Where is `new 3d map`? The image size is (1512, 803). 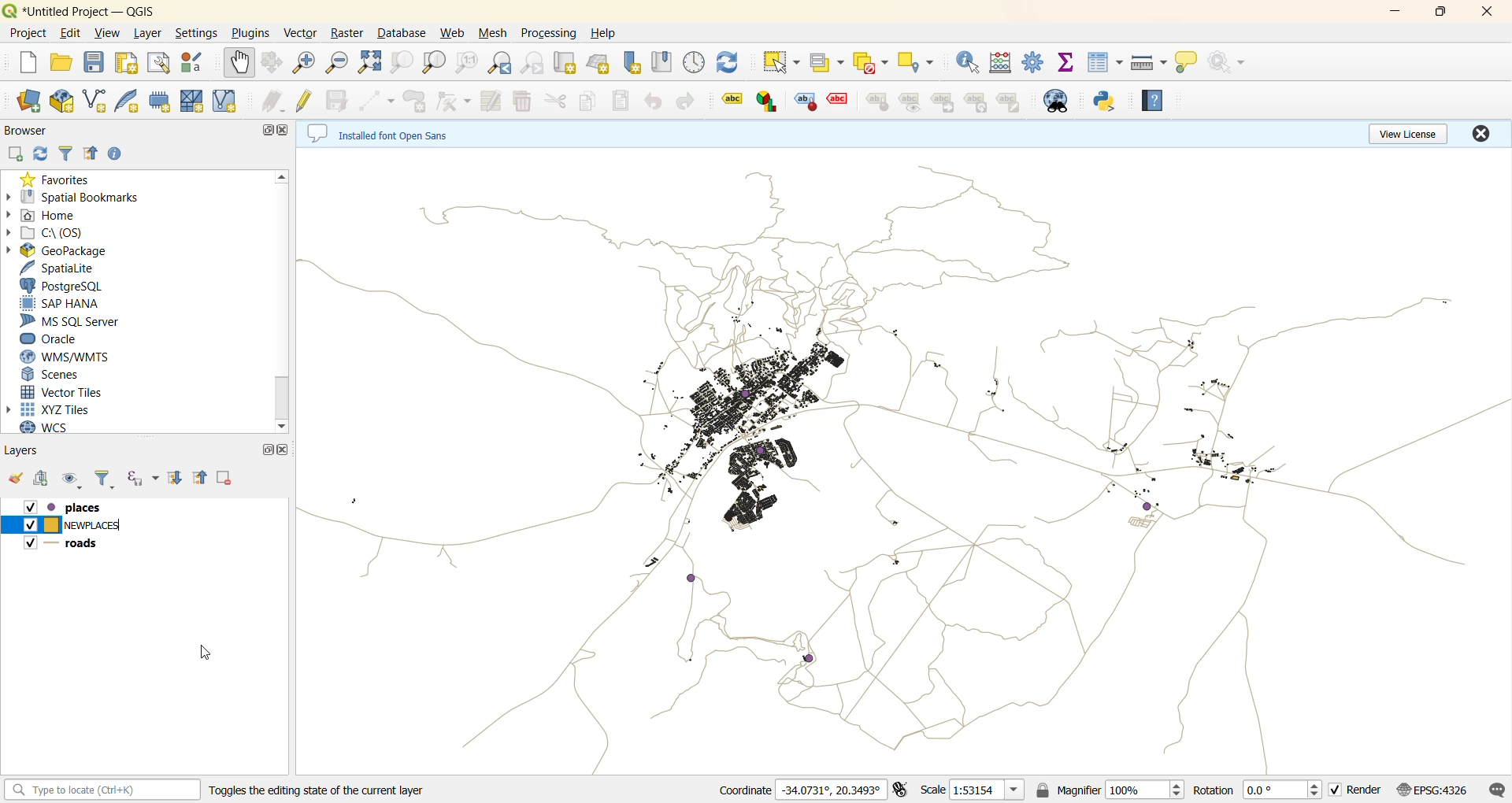 new 3d map is located at coordinates (600, 63).